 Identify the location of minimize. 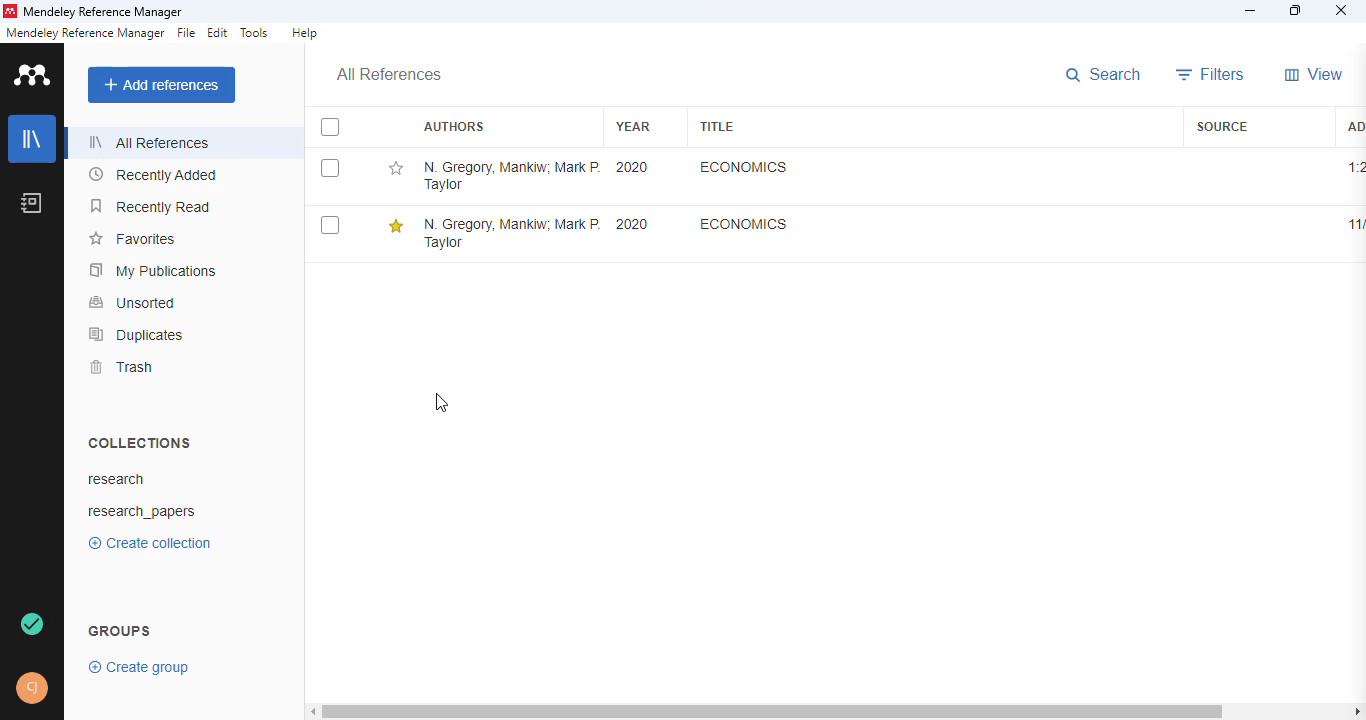
(1251, 12).